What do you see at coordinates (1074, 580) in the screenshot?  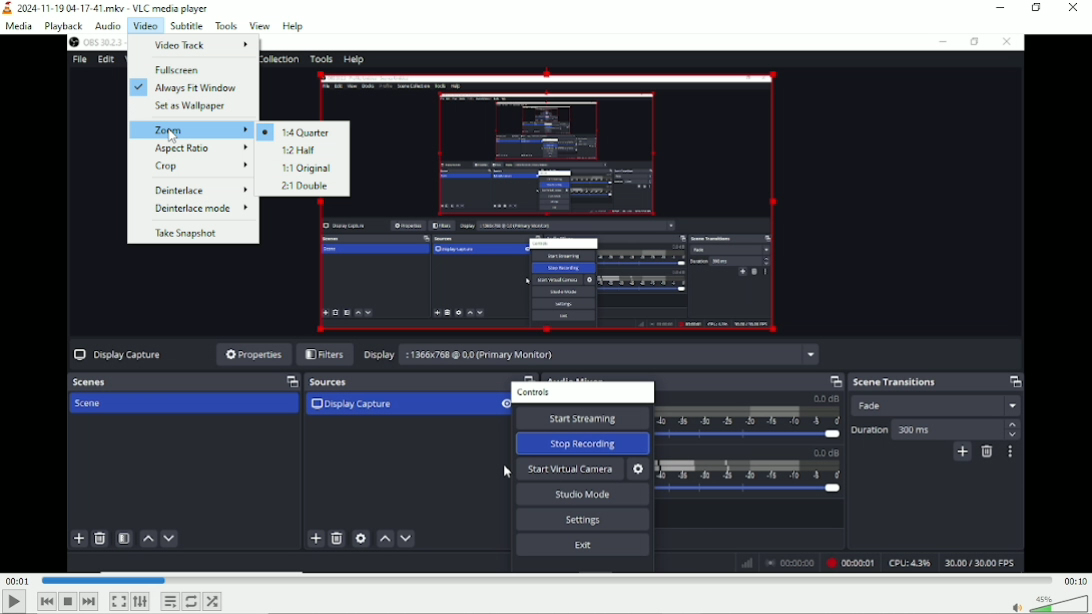 I see `Total duration` at bounding box center [1074, 580].